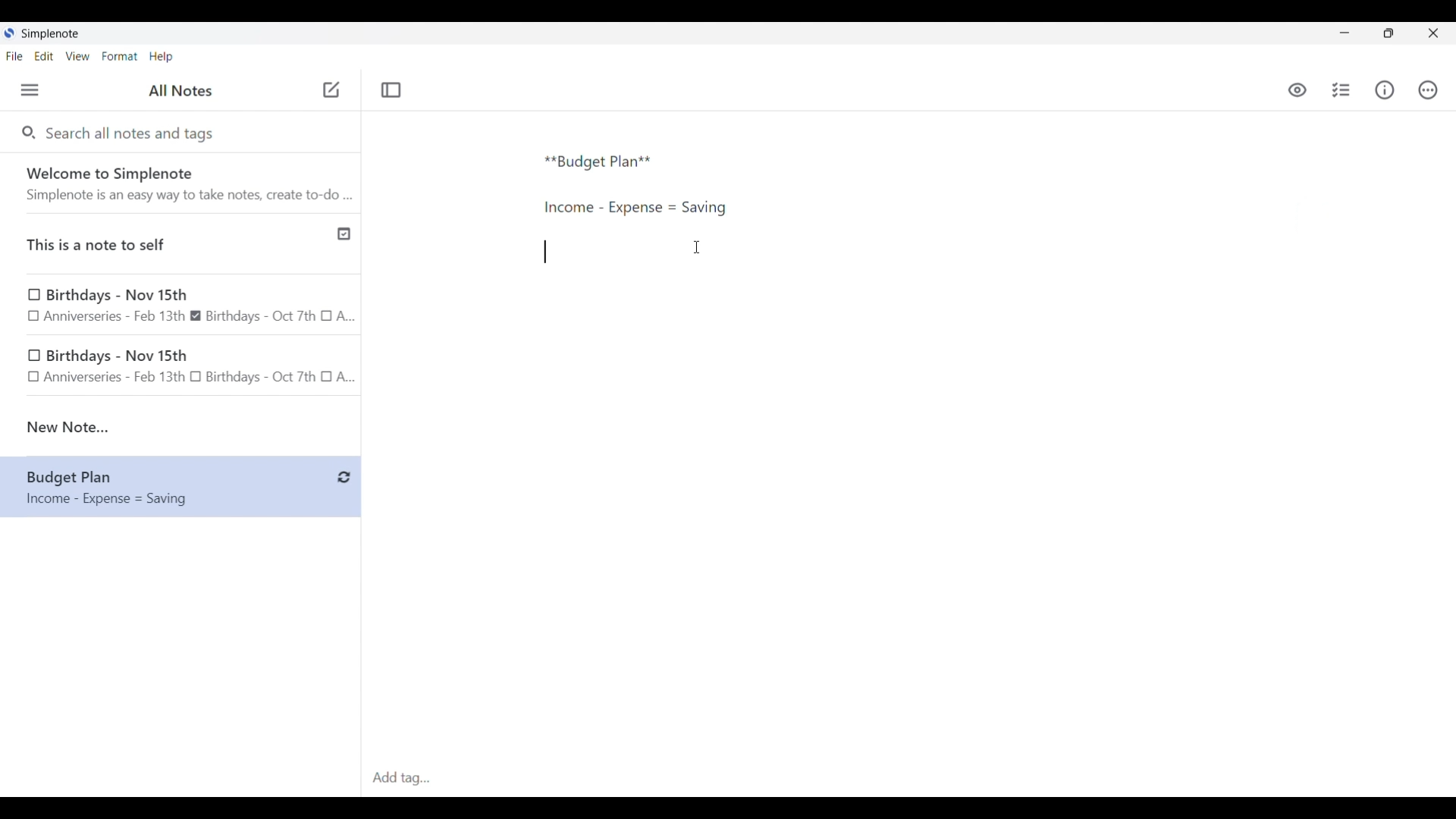 This screenshot has width=1456, height=819. What do you see at coordinates (1427, 90) in the screenshot?
I see `Actions` at bounding box center [1427, 90].